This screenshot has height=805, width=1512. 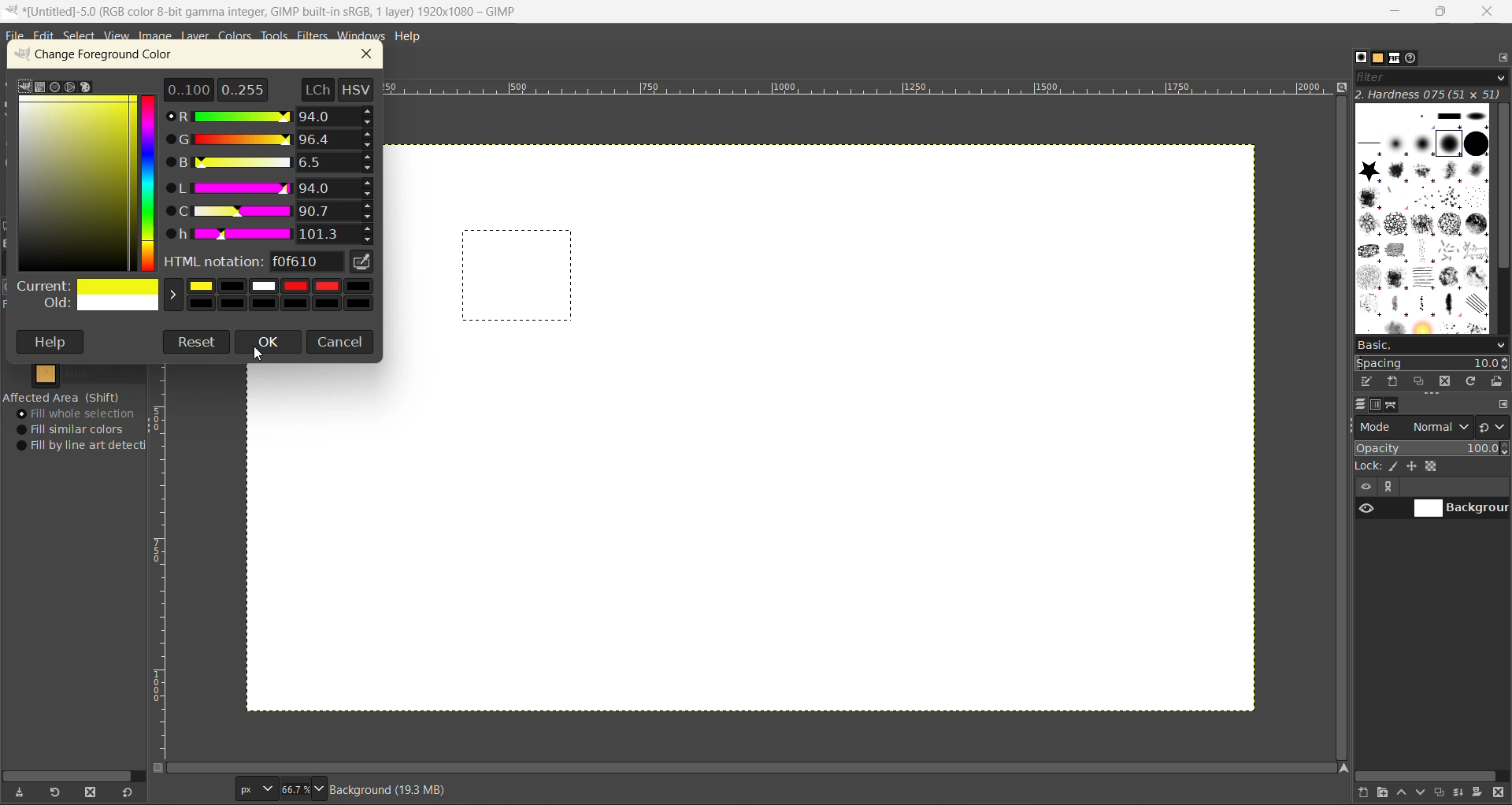 What do you see at coordinates (192, 299) in the screenshot?
I see `current and old colors` at bounding box center [192, 299].